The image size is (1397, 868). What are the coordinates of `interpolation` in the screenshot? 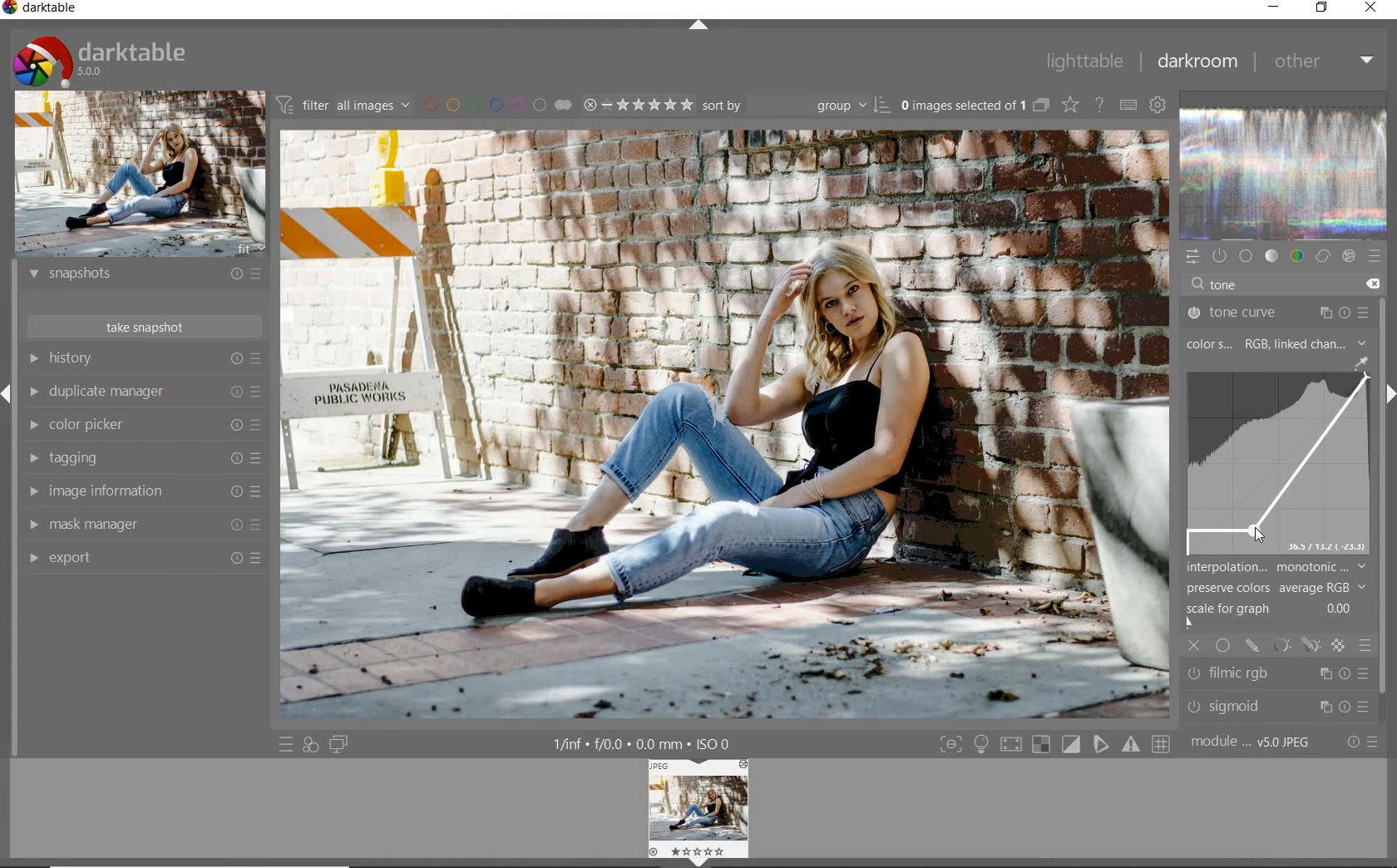 It's located at (1278, 567).